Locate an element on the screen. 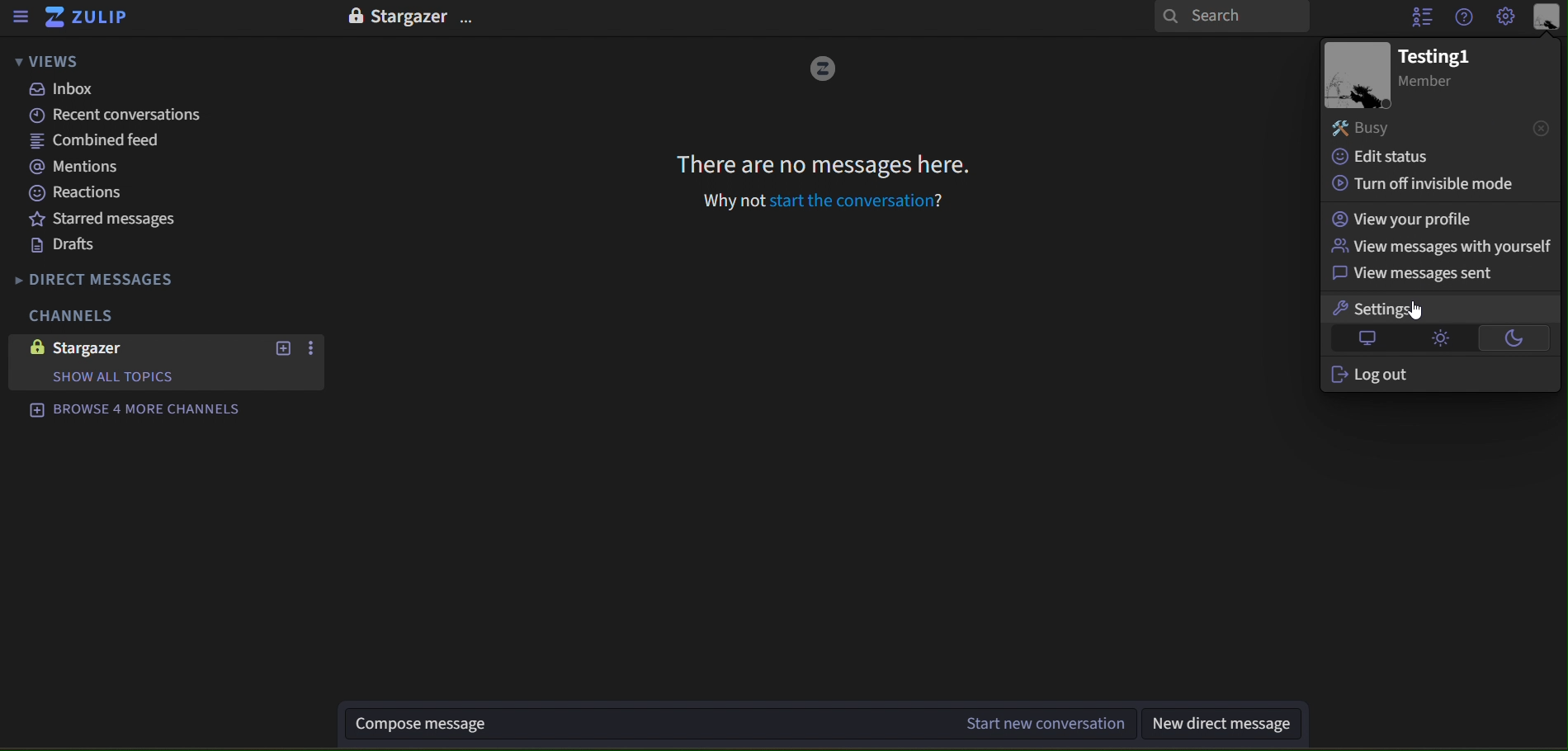  view messages sent is located at coordinates (1419, 275).